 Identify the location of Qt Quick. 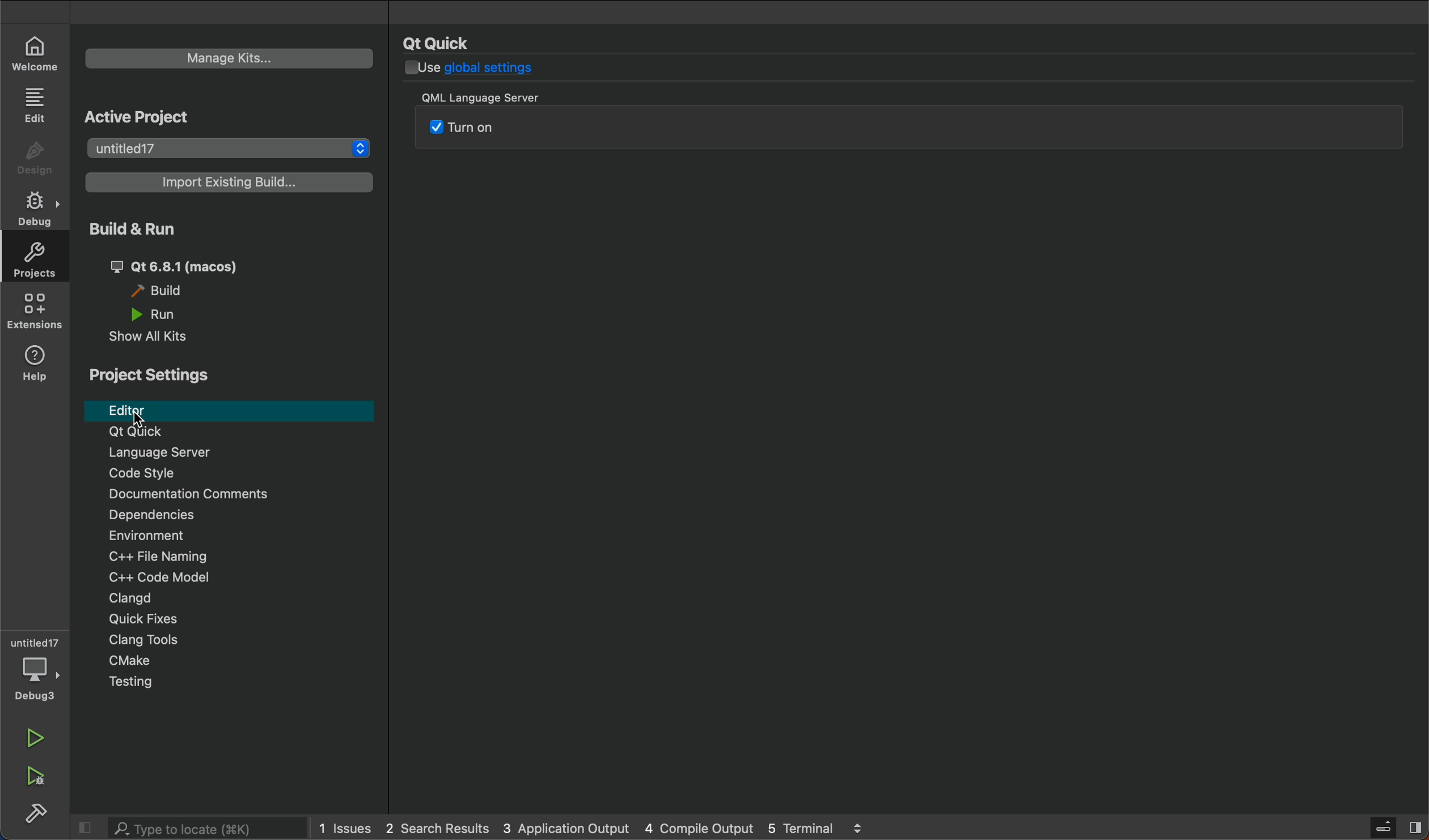
(226, 432).